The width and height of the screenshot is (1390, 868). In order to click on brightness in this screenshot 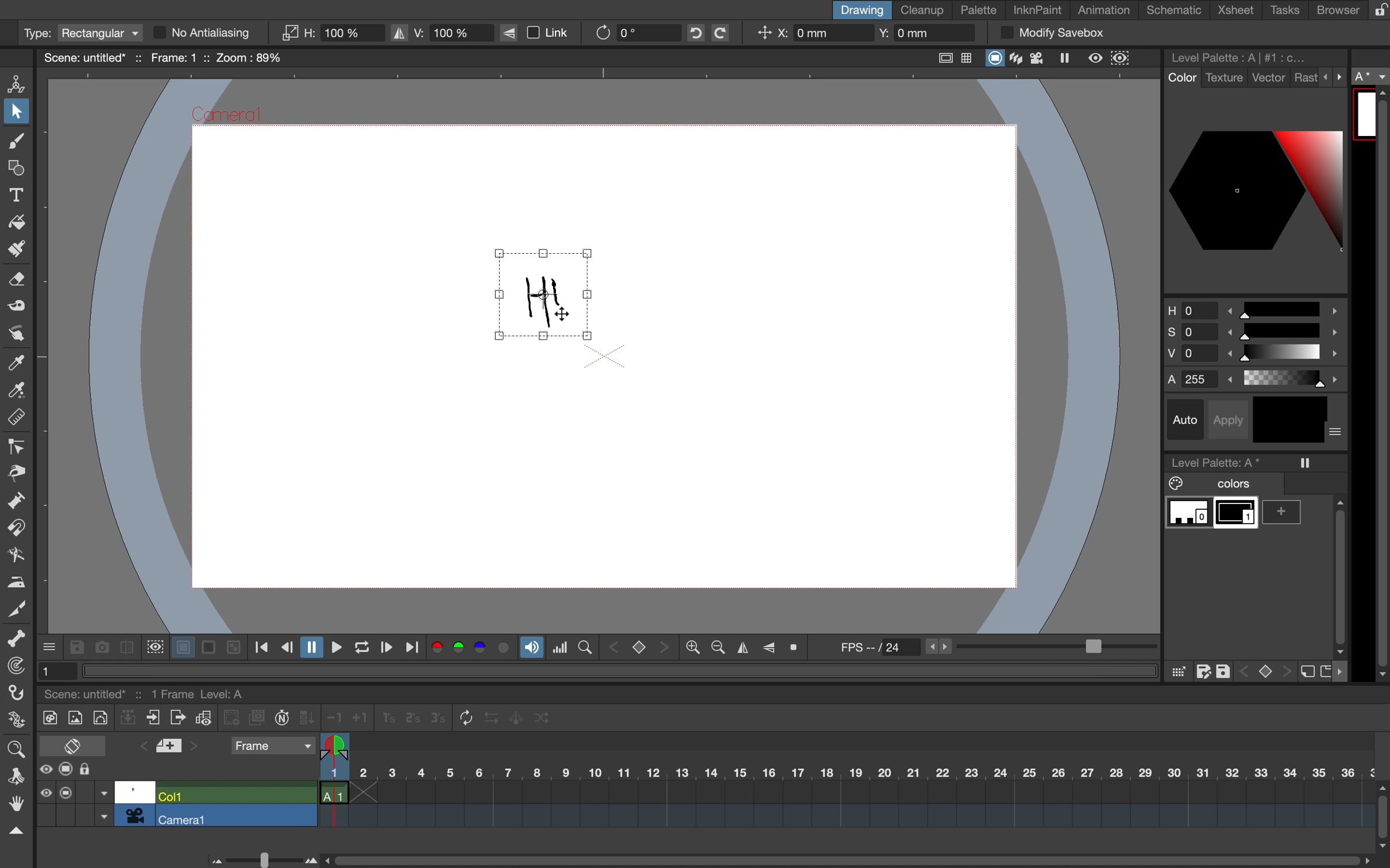, I will do `click(1257, 356)`.